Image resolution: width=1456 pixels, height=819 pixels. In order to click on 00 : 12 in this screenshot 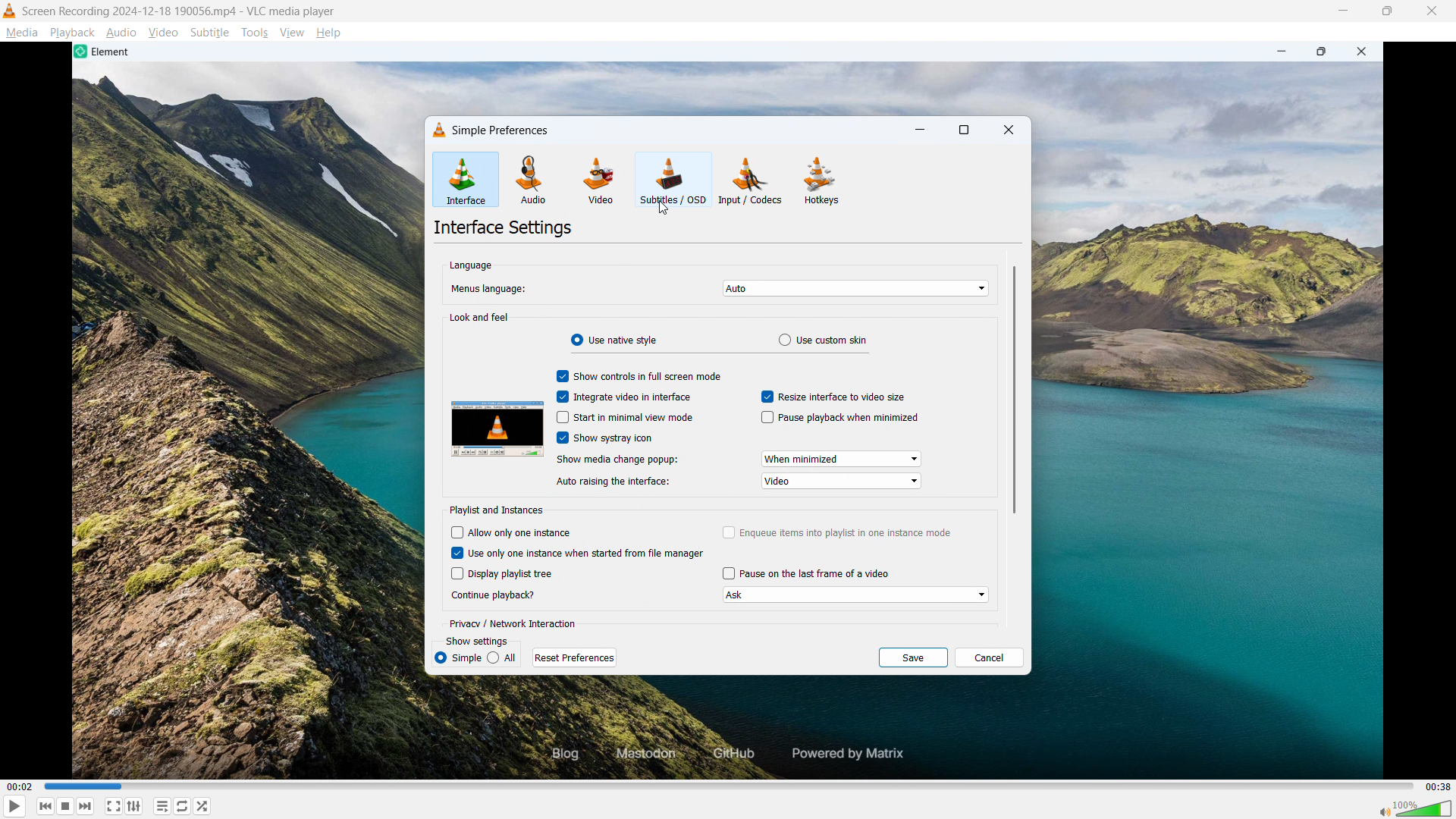, I will do `click(21, 786)`.